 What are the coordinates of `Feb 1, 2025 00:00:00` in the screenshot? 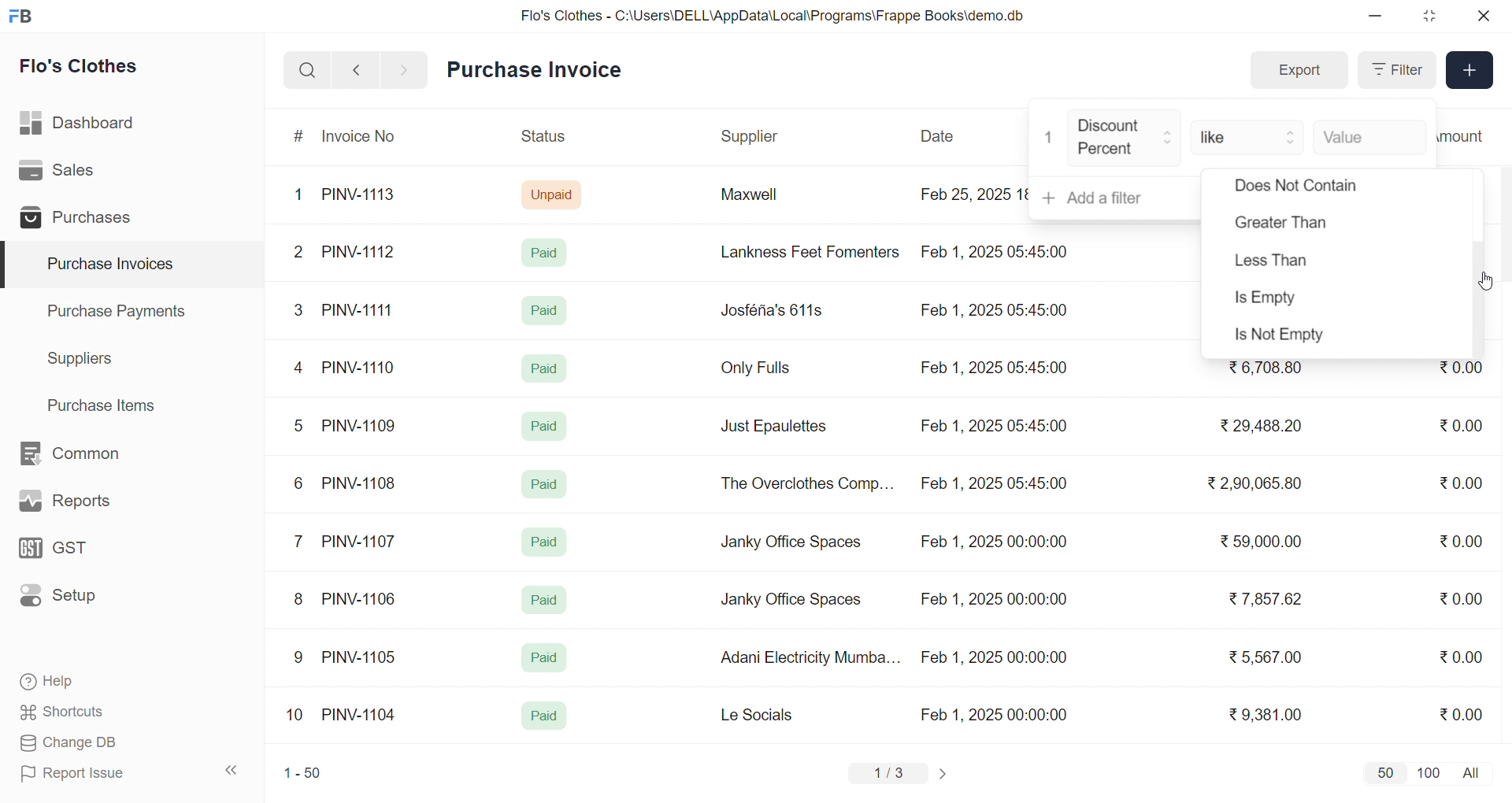 It's located at (996, 714).